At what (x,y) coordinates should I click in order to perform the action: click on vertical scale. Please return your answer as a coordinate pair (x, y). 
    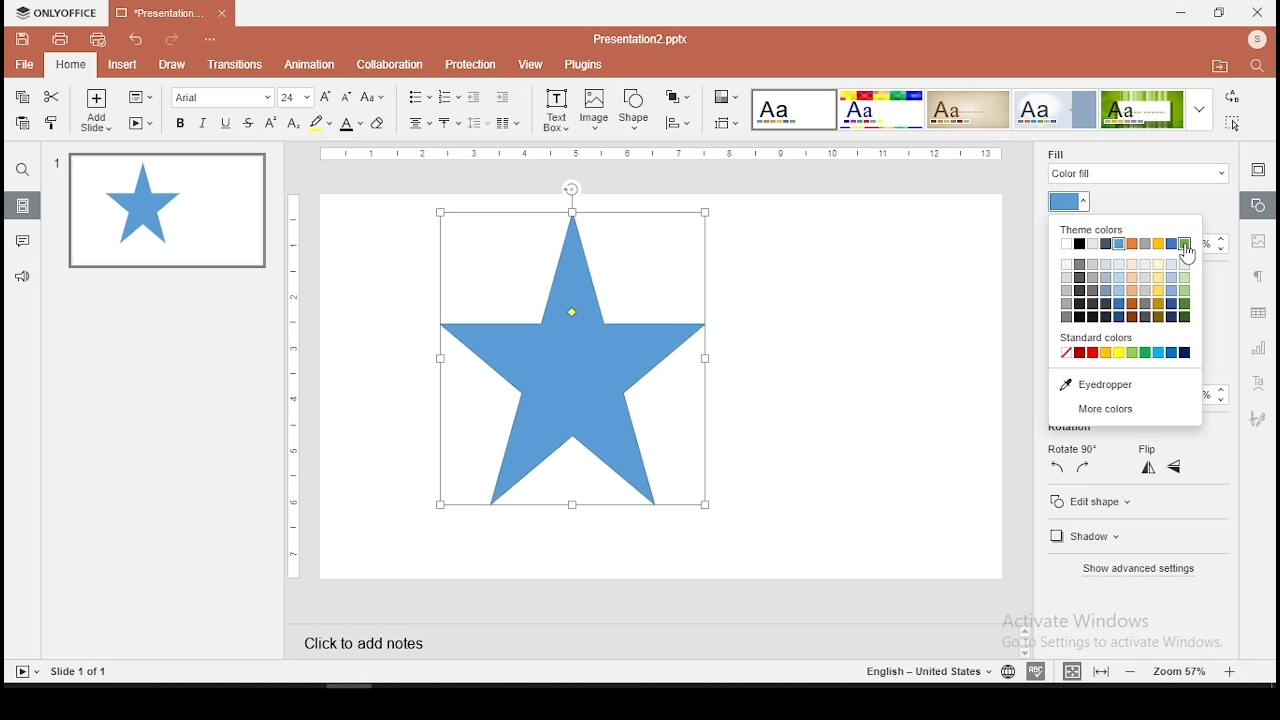
    Looking at the image, I should click on (662, 154).